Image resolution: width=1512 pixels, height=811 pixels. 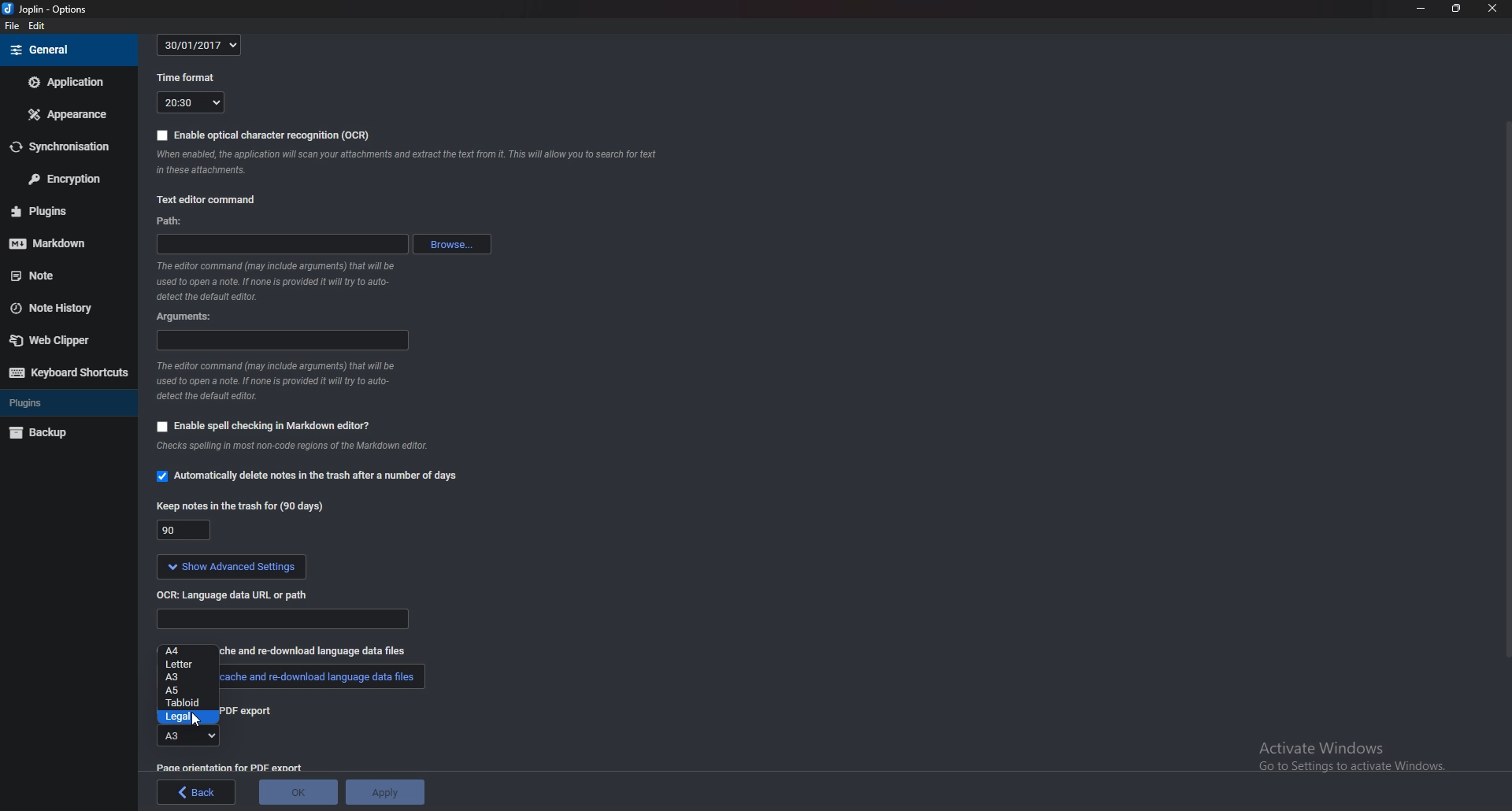 I want to click on Keyboard shortcuts, so click(x=67, y=374).